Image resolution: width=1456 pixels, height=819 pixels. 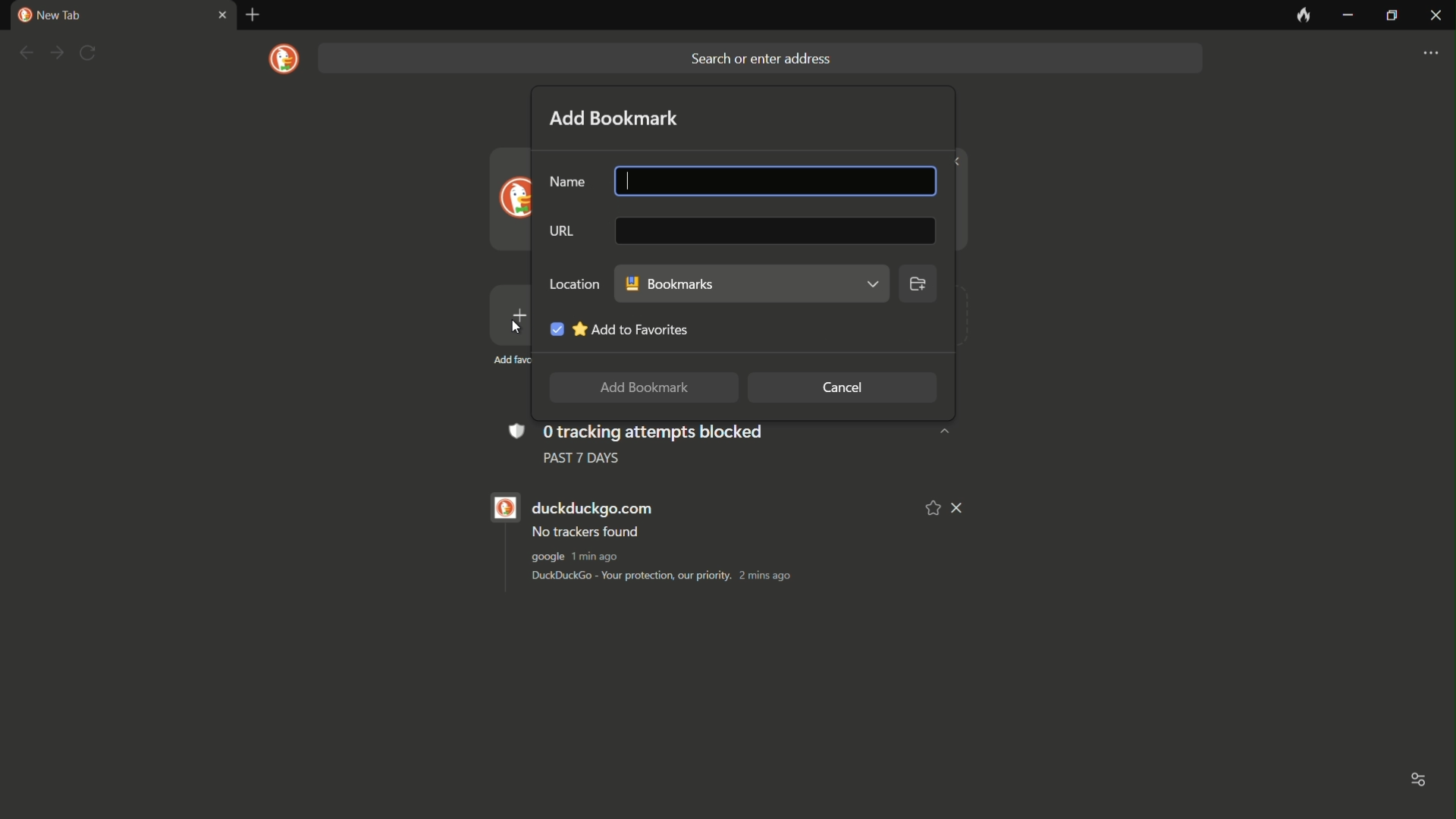 I want to click on new tab, so click(x=253, y=15).